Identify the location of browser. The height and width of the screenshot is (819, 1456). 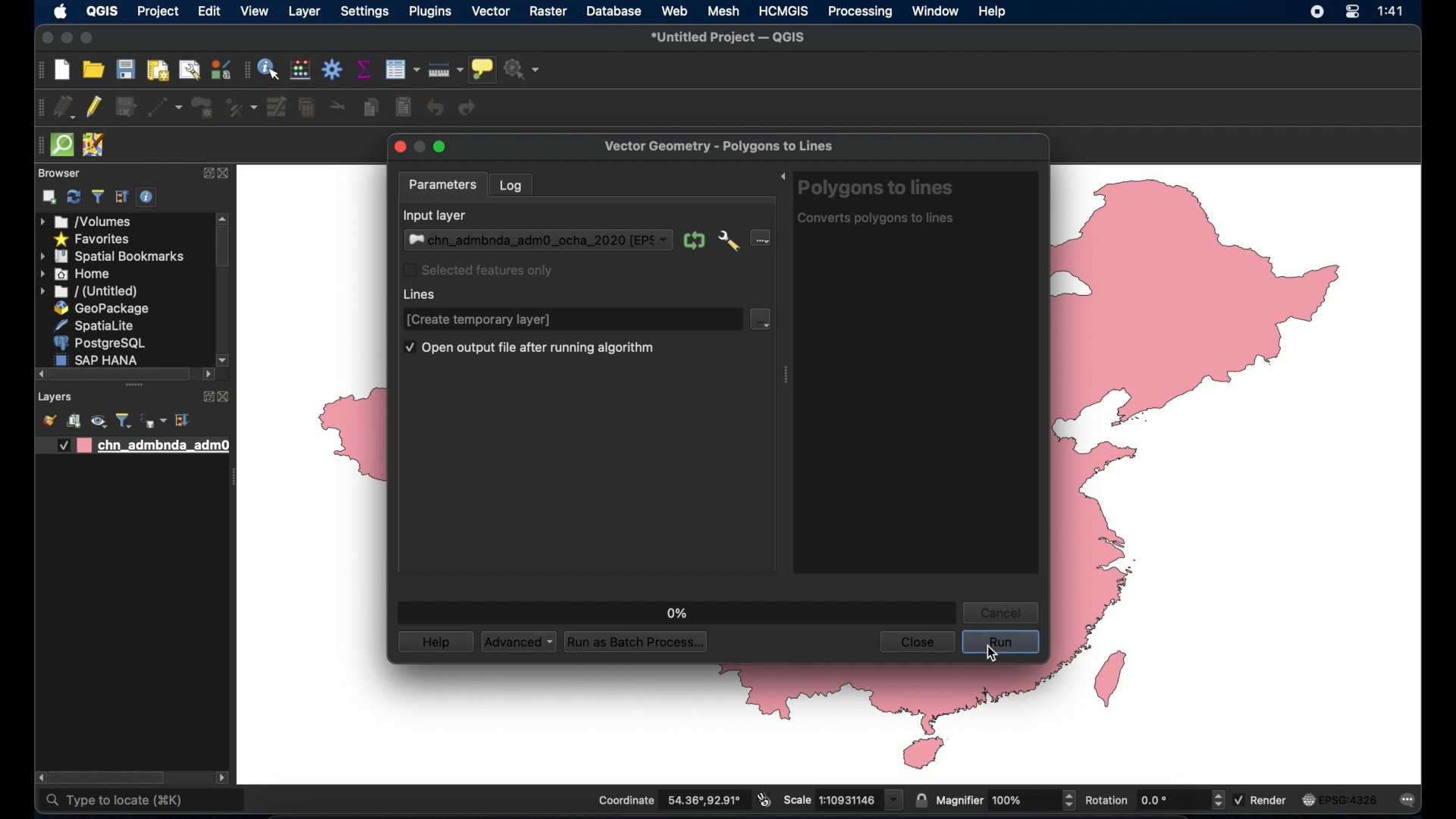
(59, 173).